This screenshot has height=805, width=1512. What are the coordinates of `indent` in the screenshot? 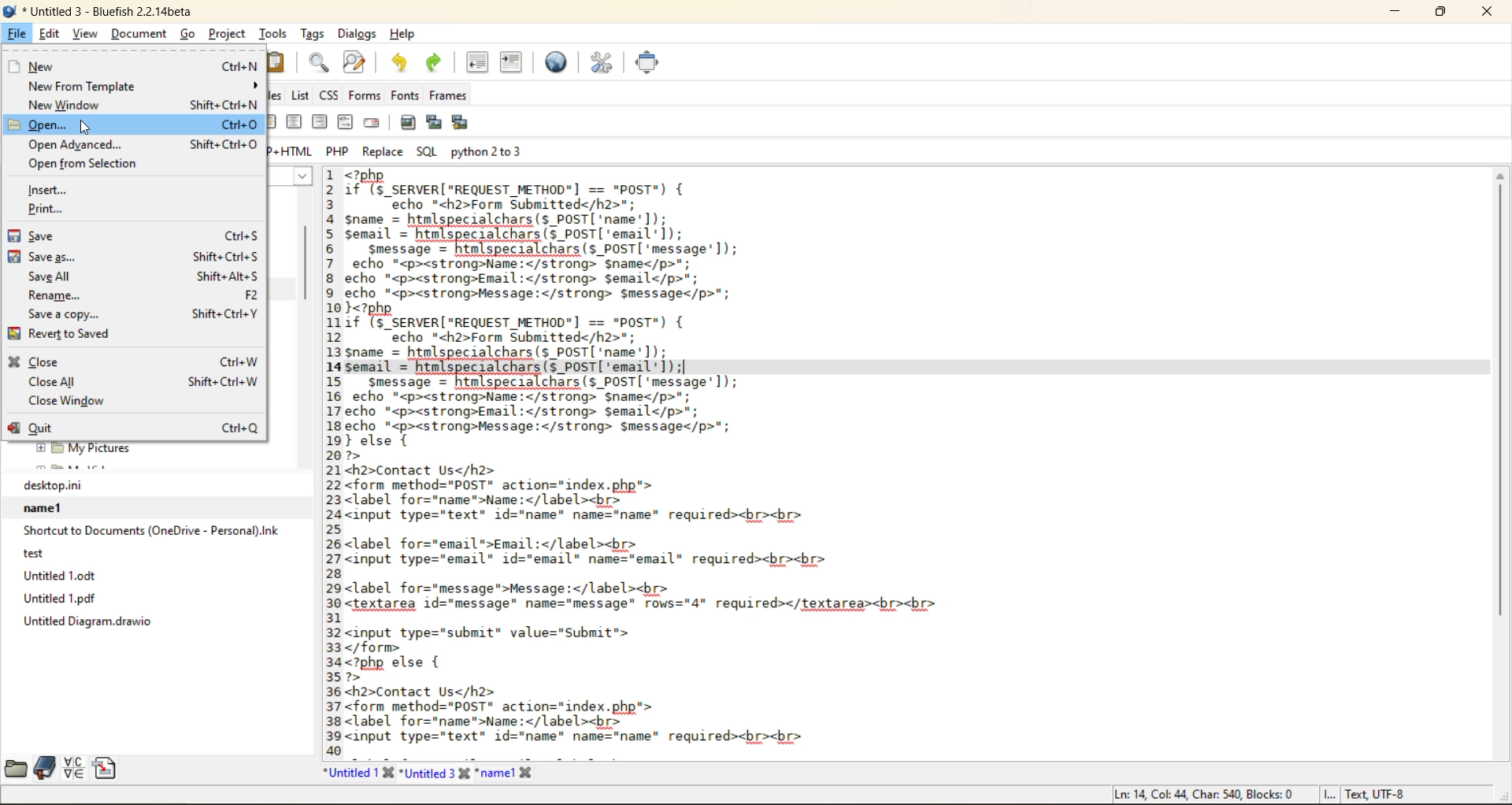 It's located at (510, 62).